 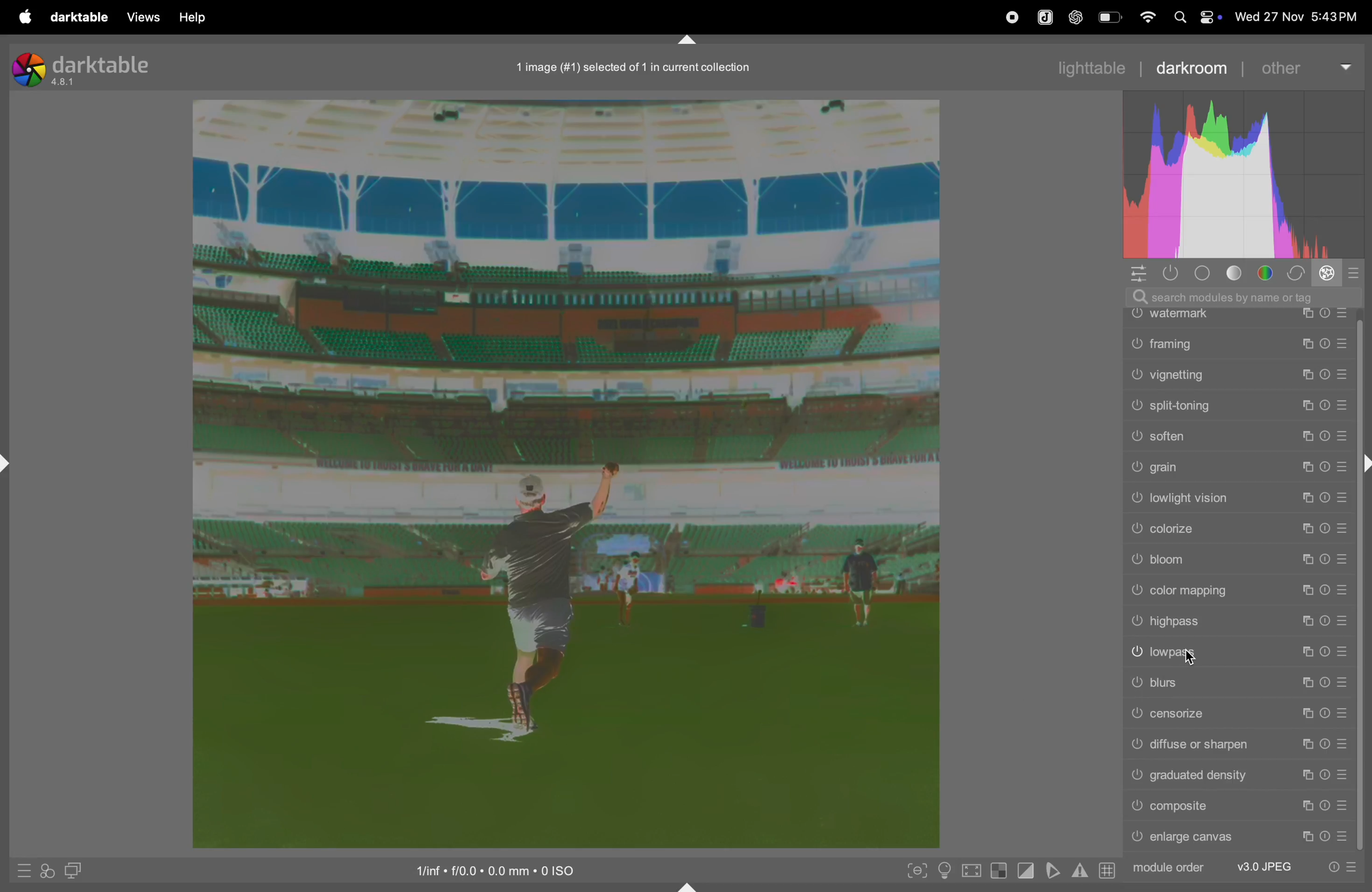 I want to click on color mapping, so click(x=1239, y=592).